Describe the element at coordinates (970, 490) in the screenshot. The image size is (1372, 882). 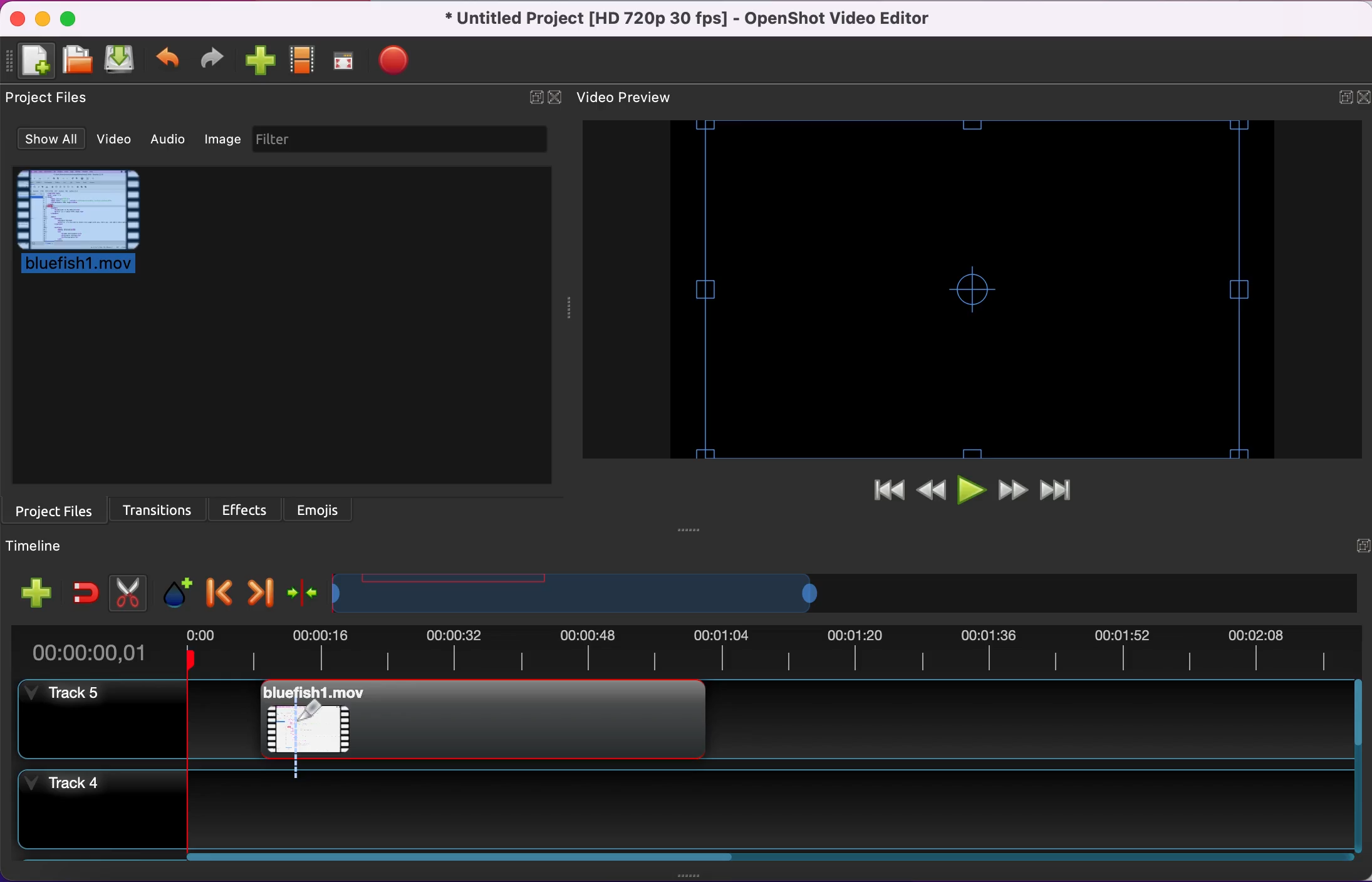
I see `play` at that location.